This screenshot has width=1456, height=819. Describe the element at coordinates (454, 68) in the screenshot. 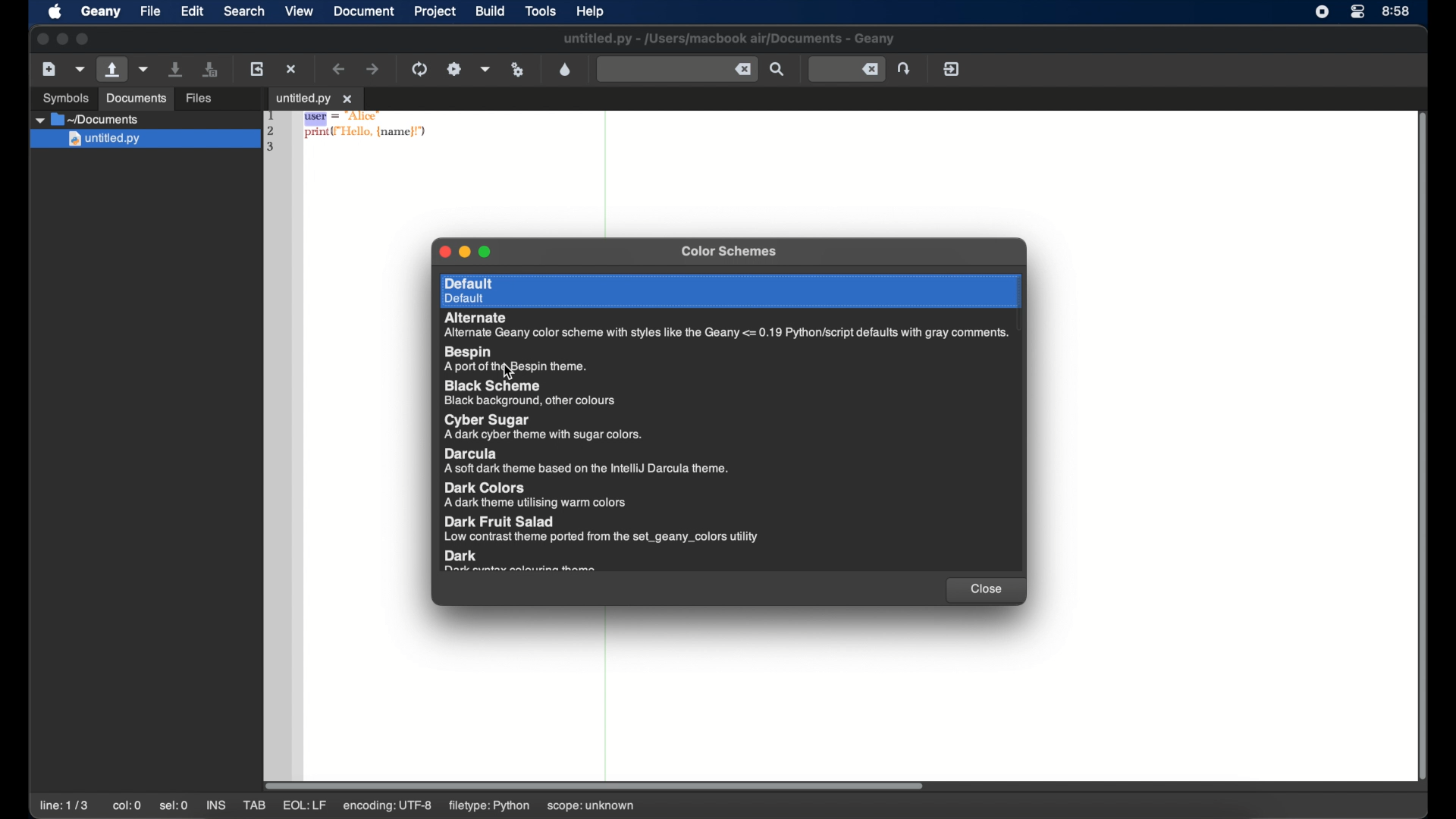

I see `build the current file` at that location.